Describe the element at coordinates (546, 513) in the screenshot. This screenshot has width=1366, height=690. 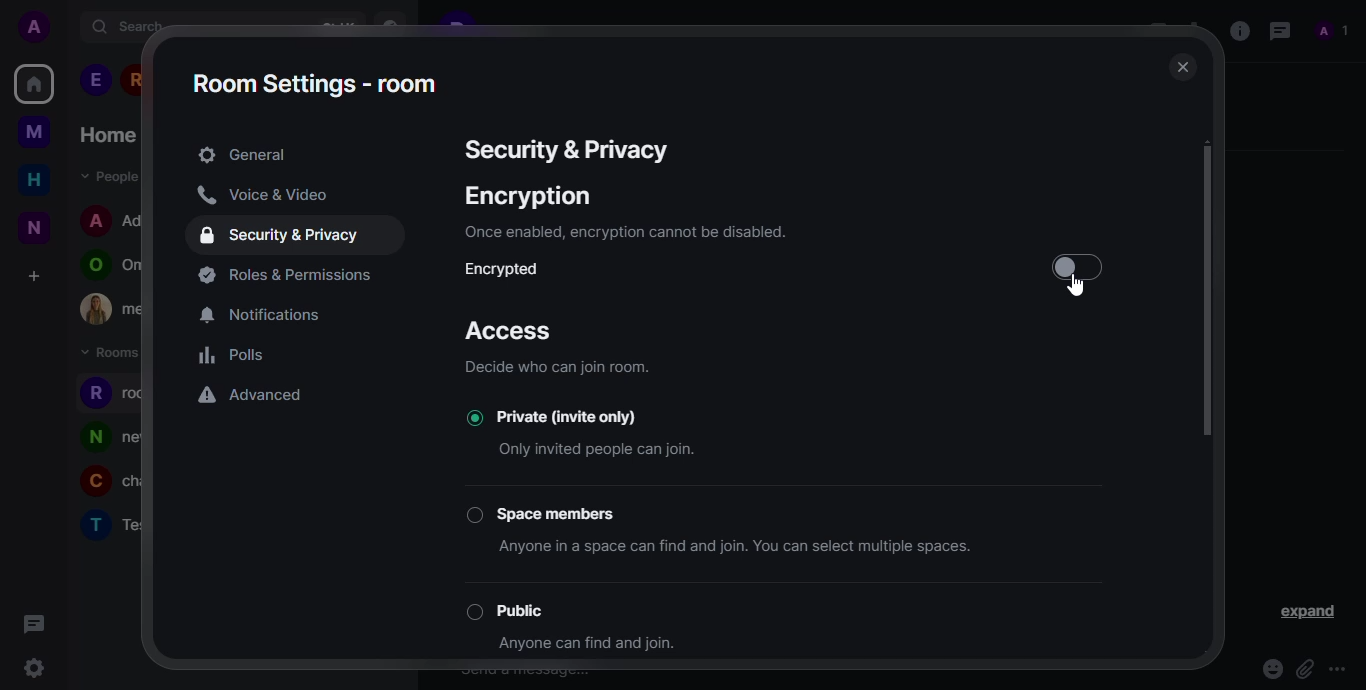
I see `space members button` at that location.